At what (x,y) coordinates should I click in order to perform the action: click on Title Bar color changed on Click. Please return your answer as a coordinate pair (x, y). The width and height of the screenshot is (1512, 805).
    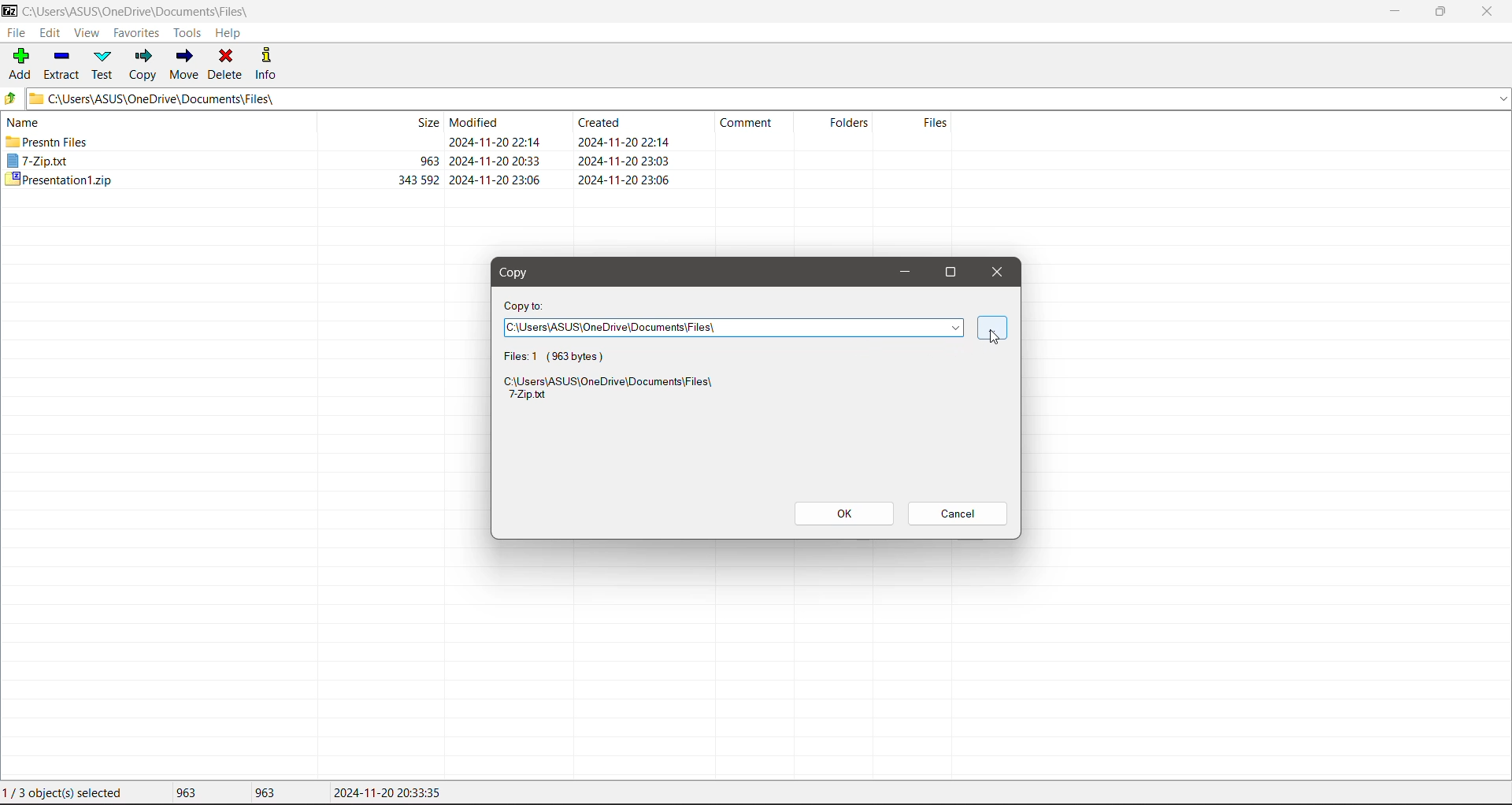
    Looking at the image, I should click on (547, 10).